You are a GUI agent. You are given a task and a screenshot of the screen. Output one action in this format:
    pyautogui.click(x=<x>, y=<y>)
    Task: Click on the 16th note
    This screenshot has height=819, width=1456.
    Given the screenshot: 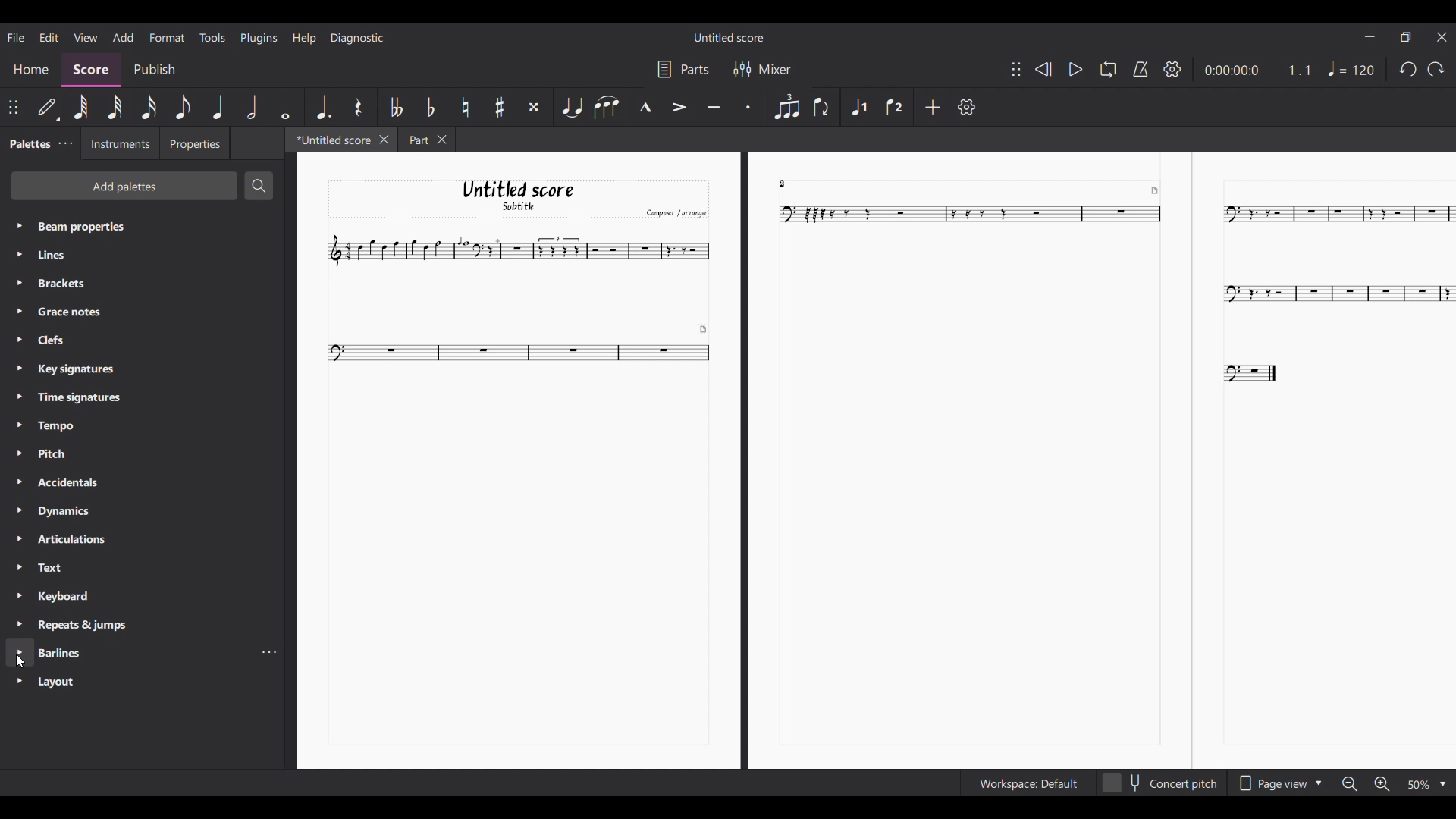 What is the action you would take?
    pyautogui.click(x=149, y=107)
    